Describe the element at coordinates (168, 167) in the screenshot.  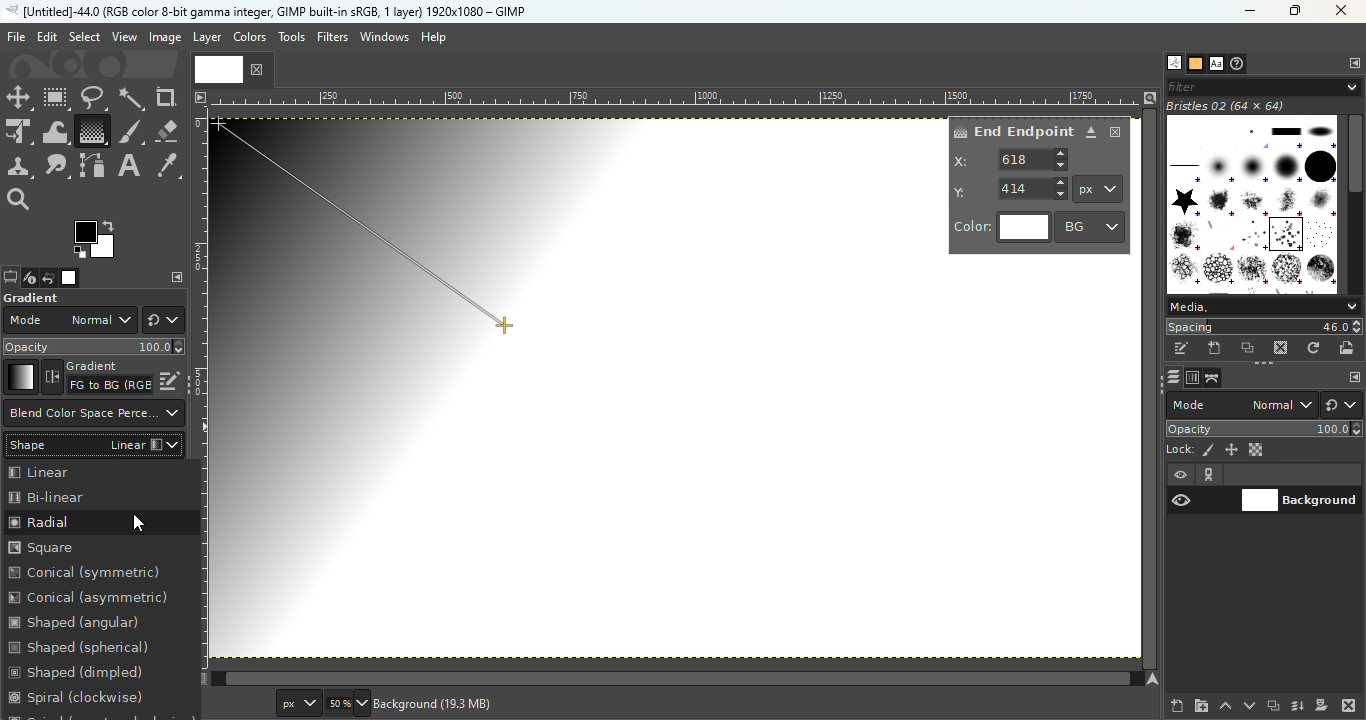
I see `Color picker tool` at that location.